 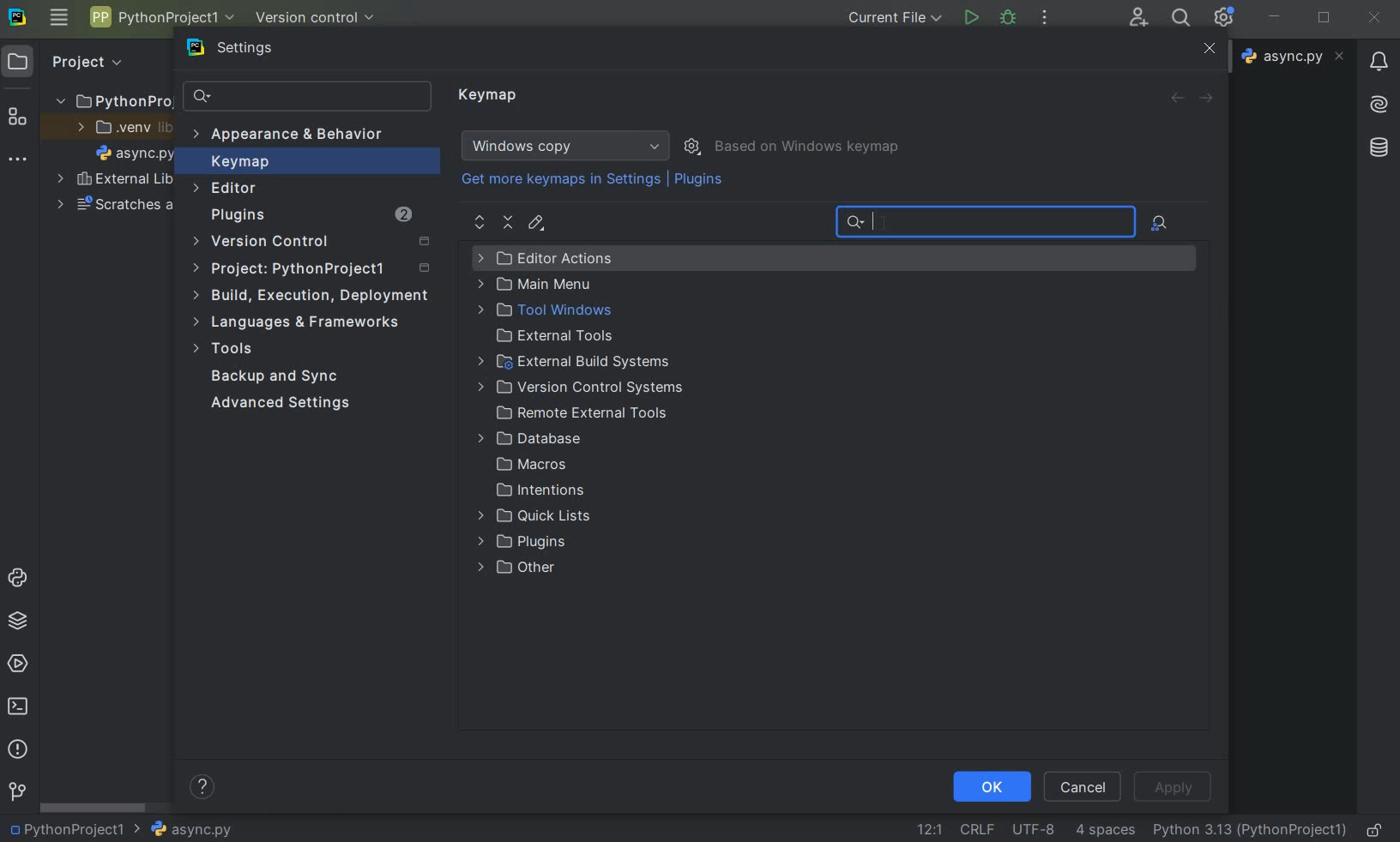 What do you see at coordinates (18, 60) in the screenshot?
I see `project icon` at bounding box center [18, 60].